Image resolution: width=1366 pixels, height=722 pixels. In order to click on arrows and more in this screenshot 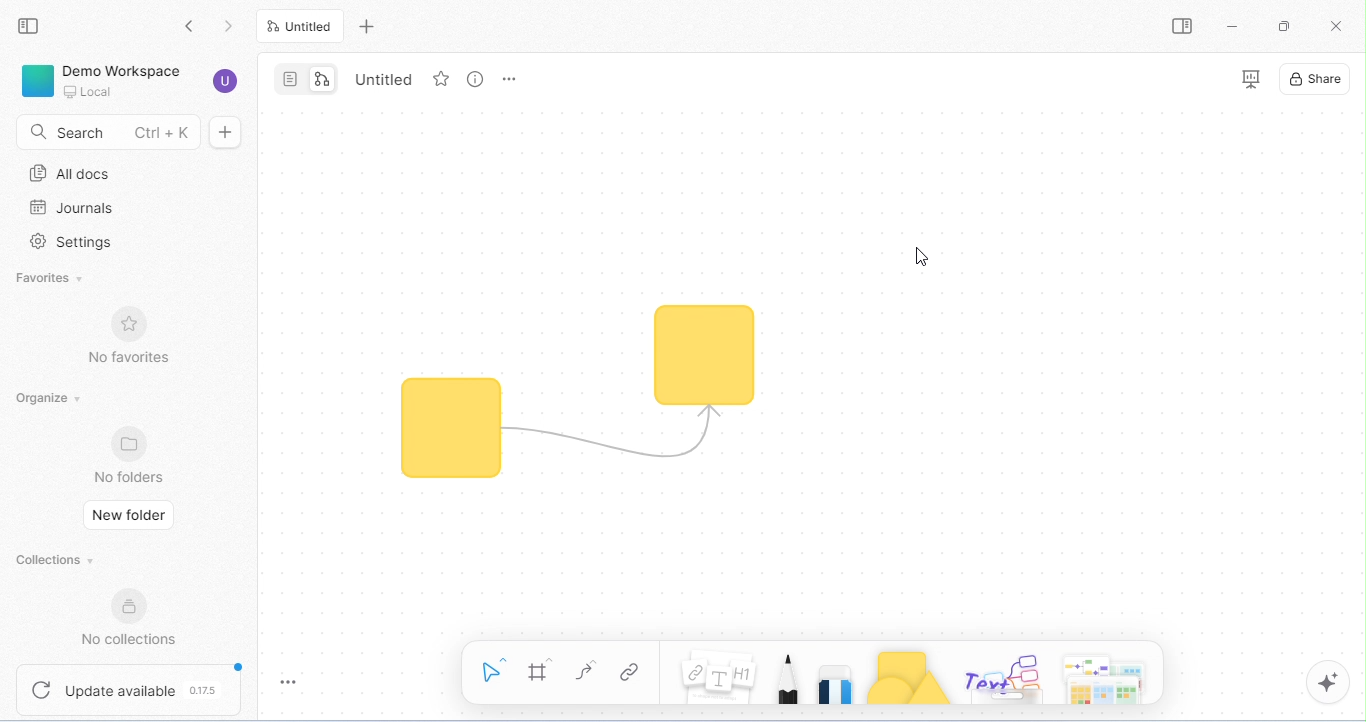, I will do `click(1105, 677)`.